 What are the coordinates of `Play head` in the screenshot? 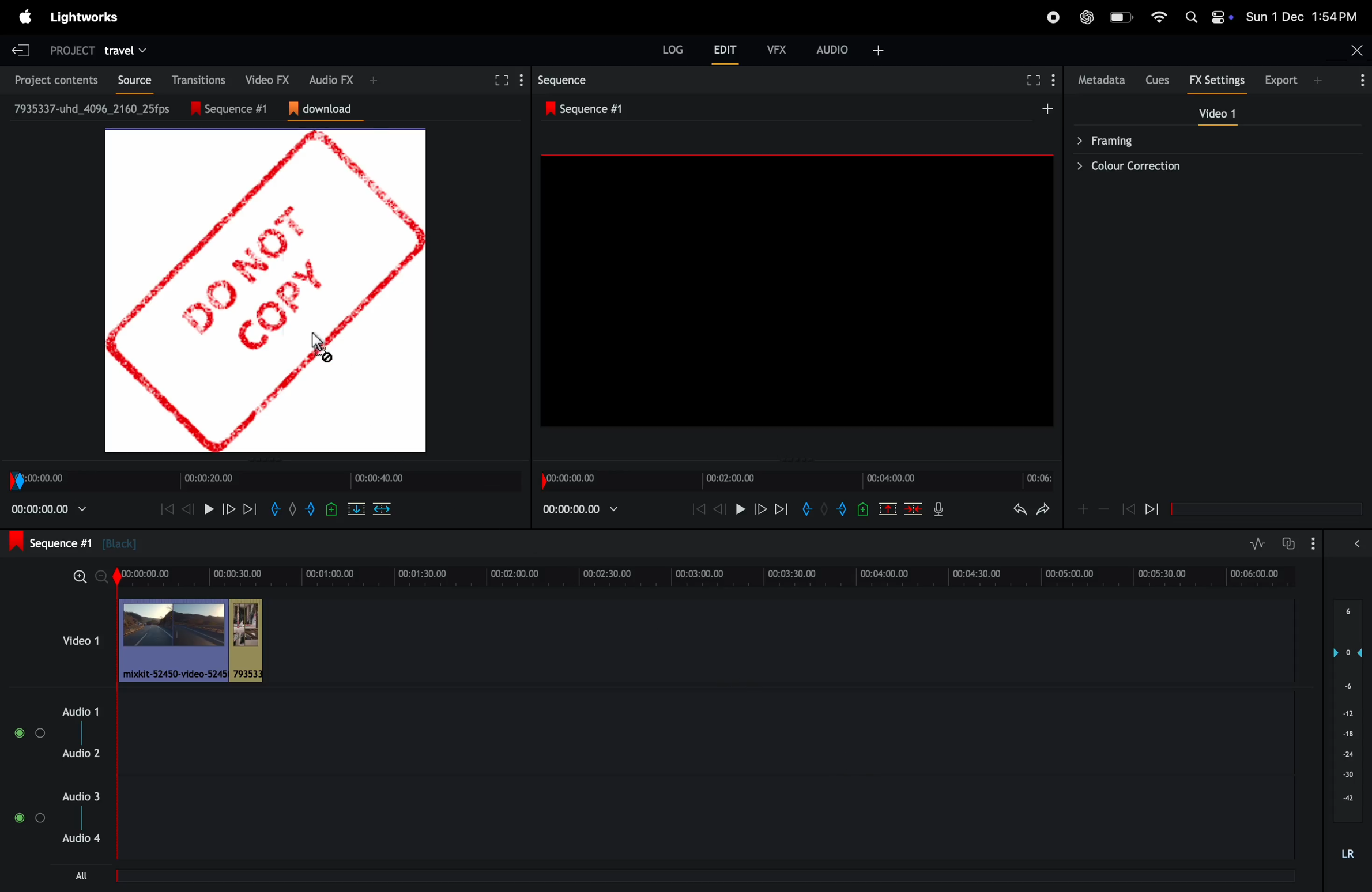 It's located at (117, 712).